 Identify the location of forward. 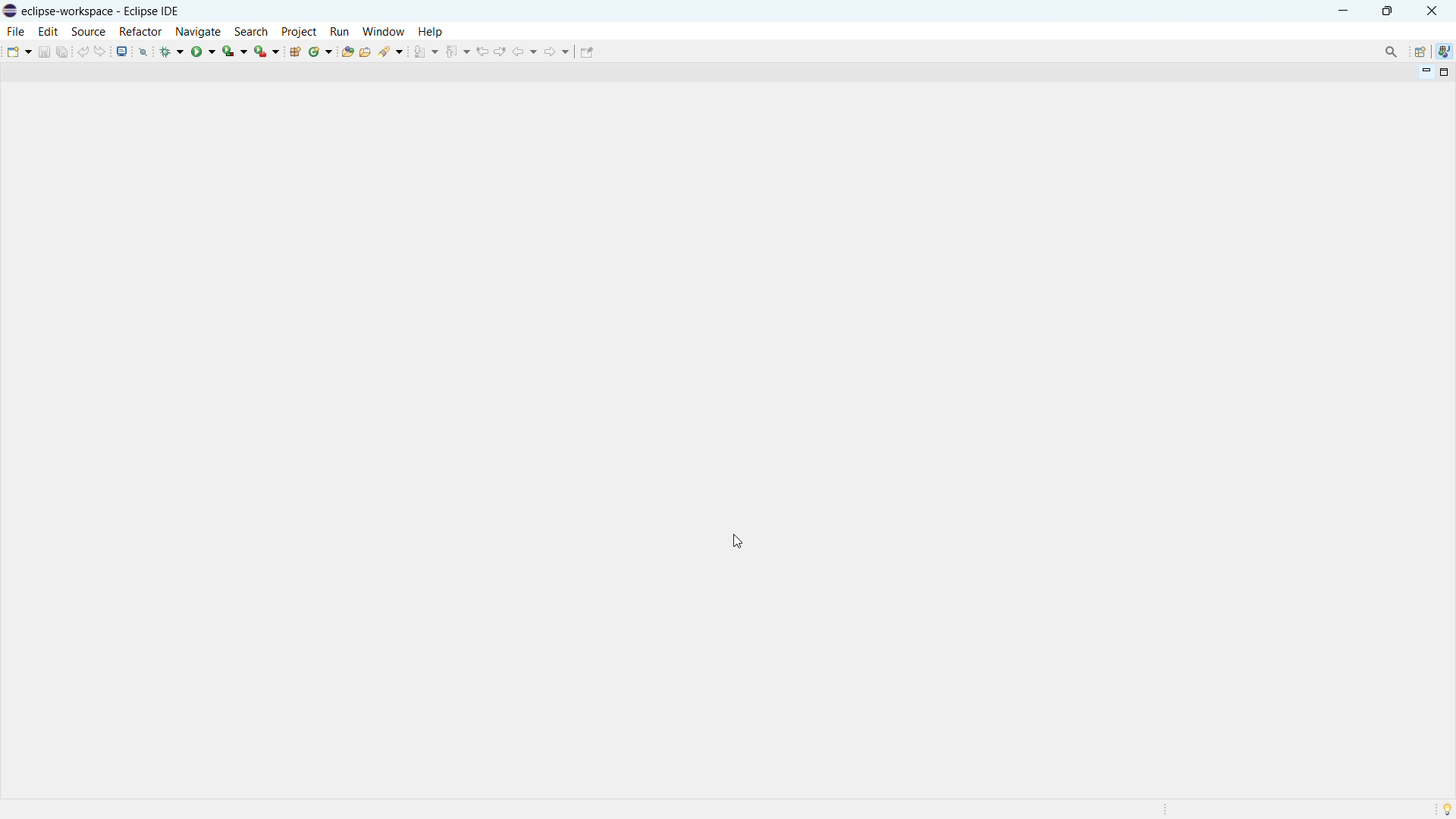
(557, 51).